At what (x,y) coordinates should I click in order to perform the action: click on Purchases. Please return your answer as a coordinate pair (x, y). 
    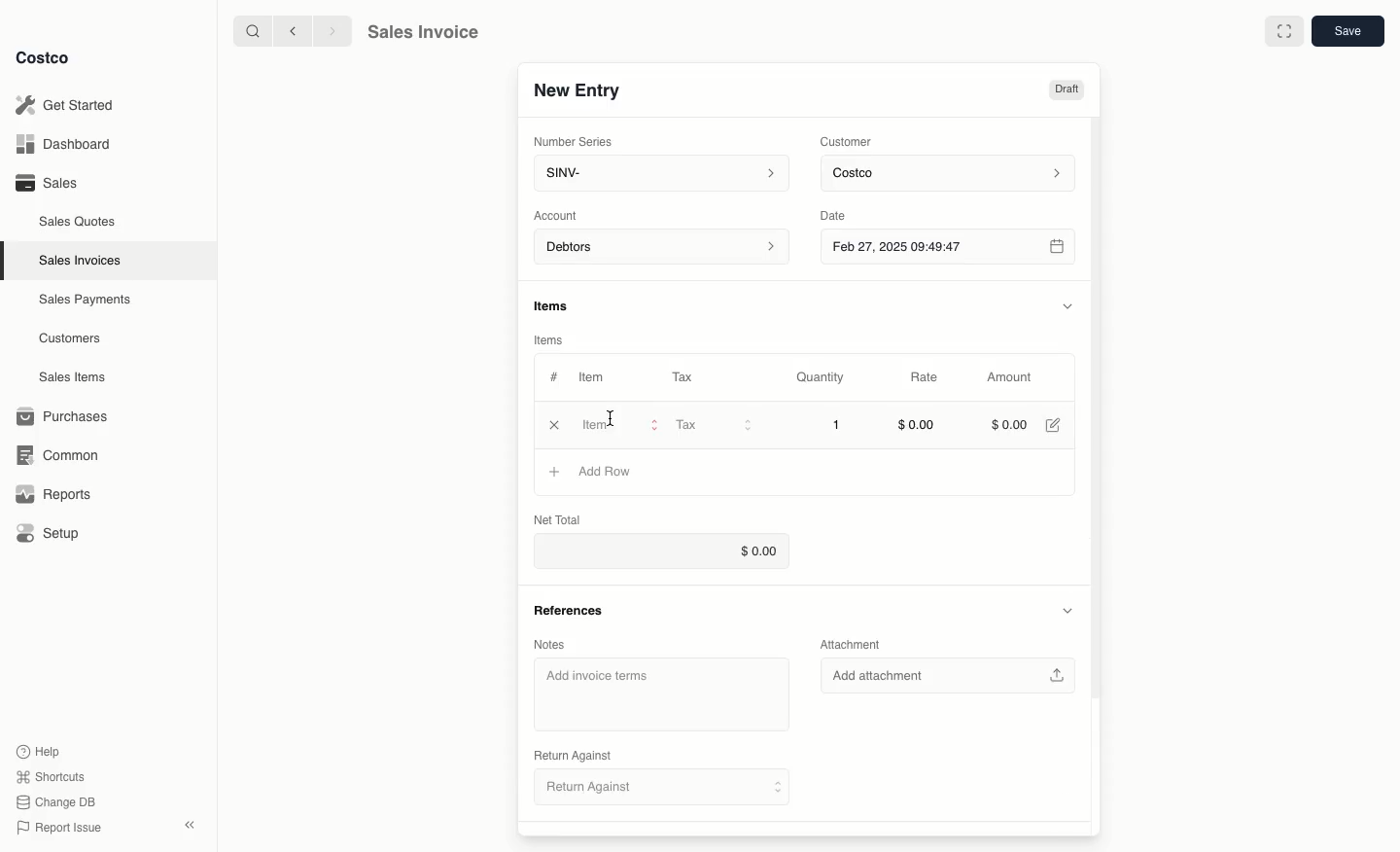
    Looking at the image, I should click on (63, 416).